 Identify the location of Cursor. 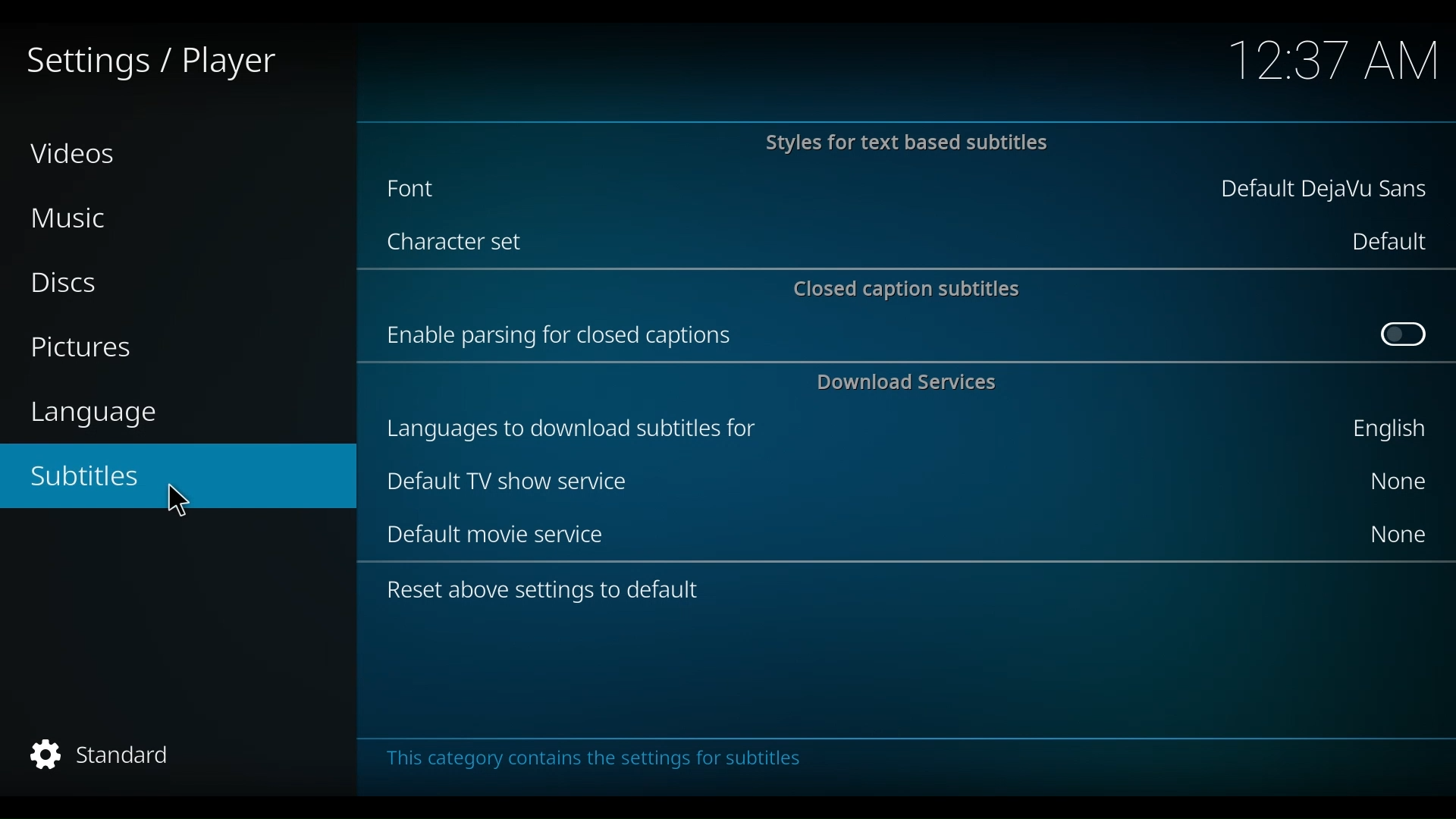
(181, 502).